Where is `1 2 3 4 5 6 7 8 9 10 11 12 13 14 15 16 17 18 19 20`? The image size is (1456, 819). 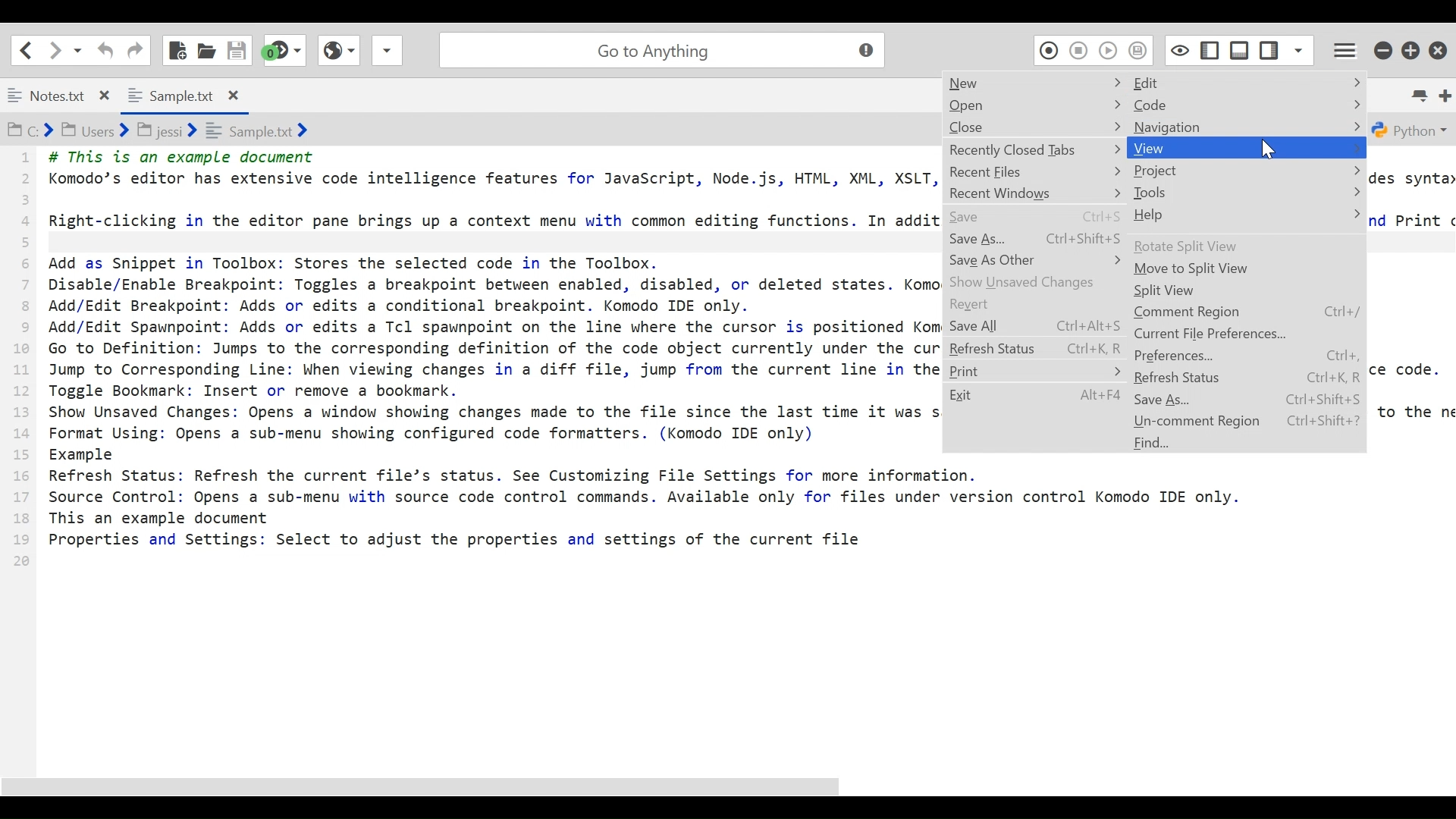
1 2 3 4 5 6 7 8 9 10 11 12 13 14 15 16 17 18 19 20 is located at coordinates (22, 364).